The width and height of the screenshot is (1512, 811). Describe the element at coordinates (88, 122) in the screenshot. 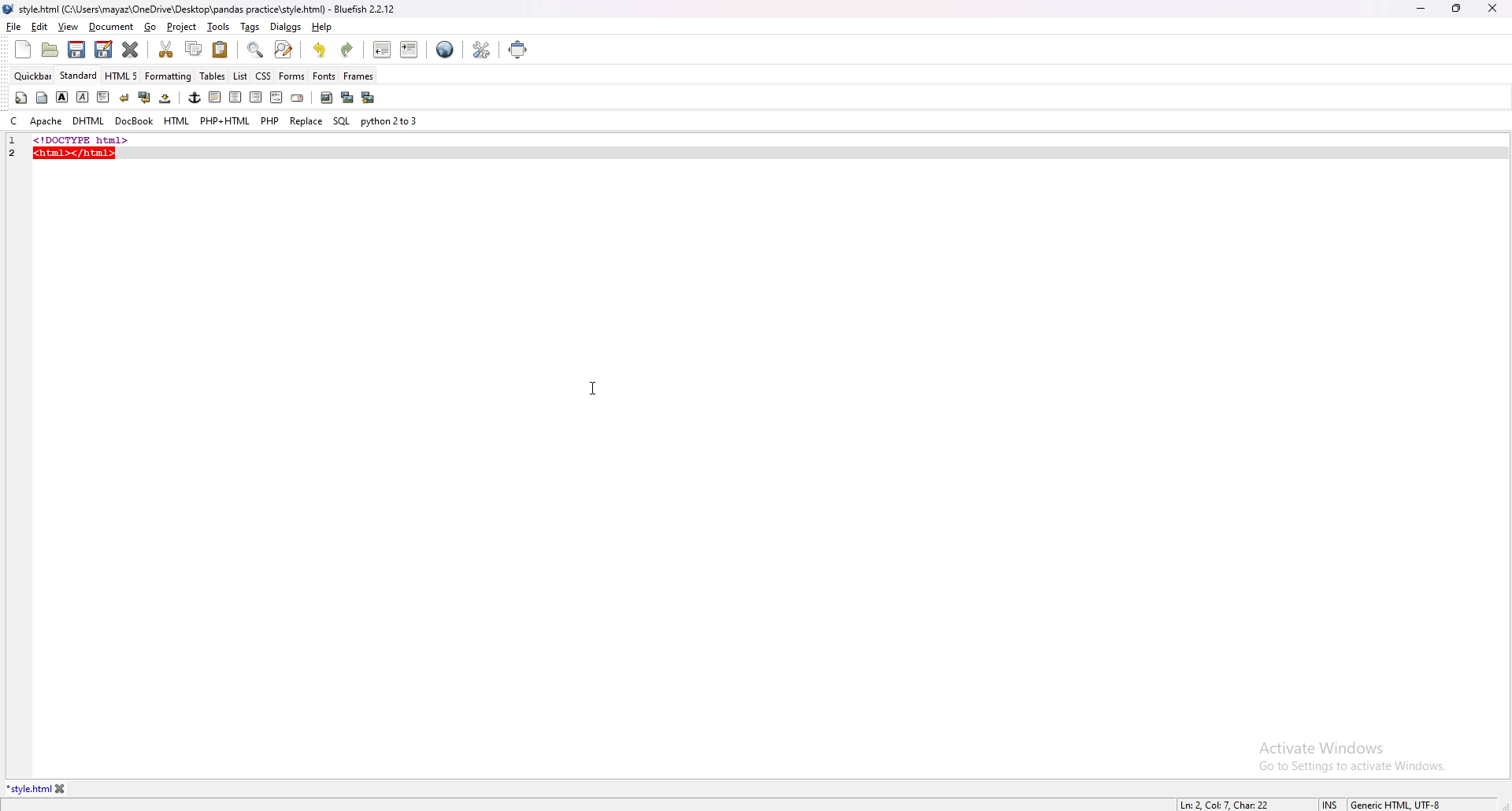

I see `dhtml` at that location.